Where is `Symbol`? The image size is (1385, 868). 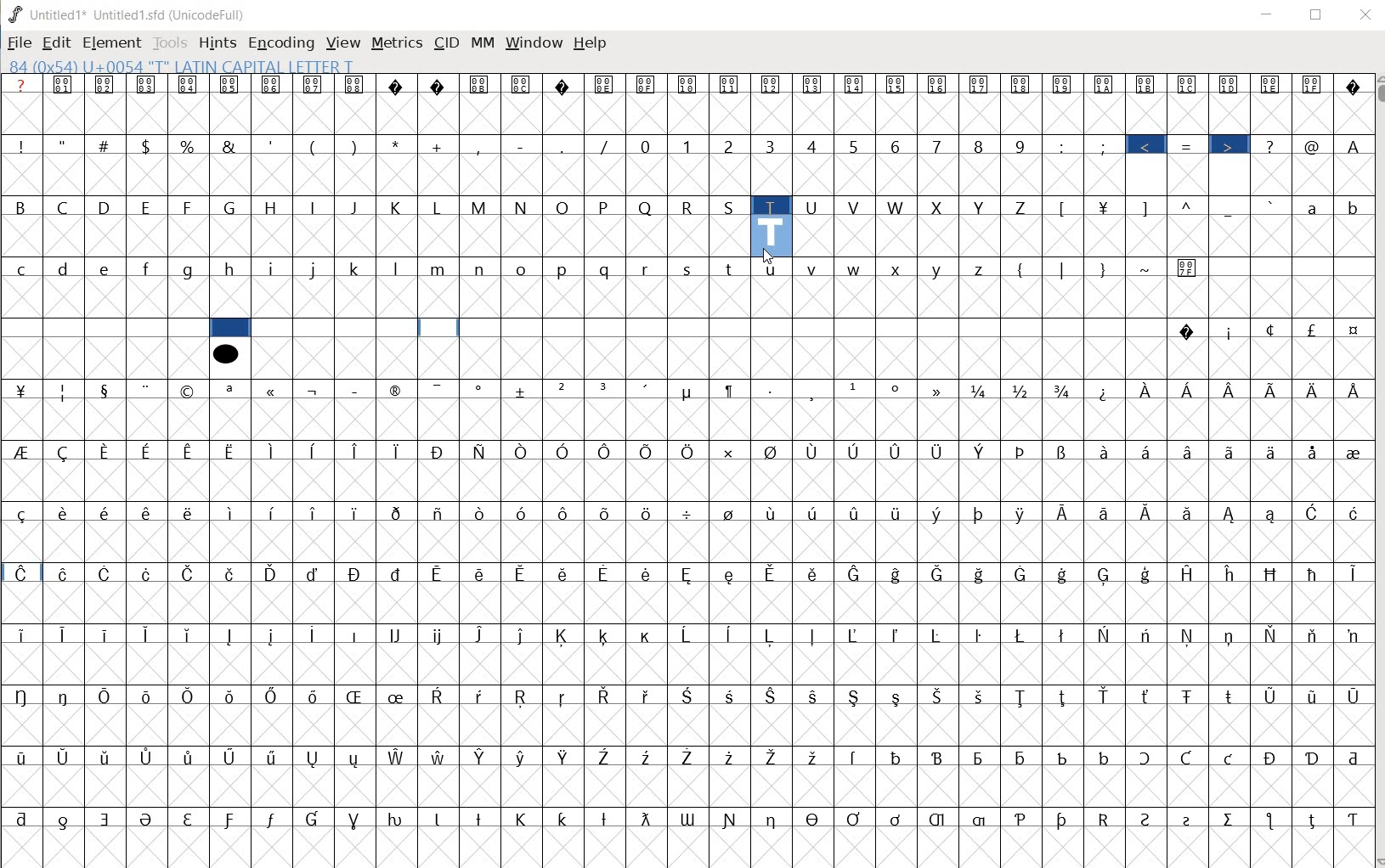 Symbol is located at coordinates (525, 450).